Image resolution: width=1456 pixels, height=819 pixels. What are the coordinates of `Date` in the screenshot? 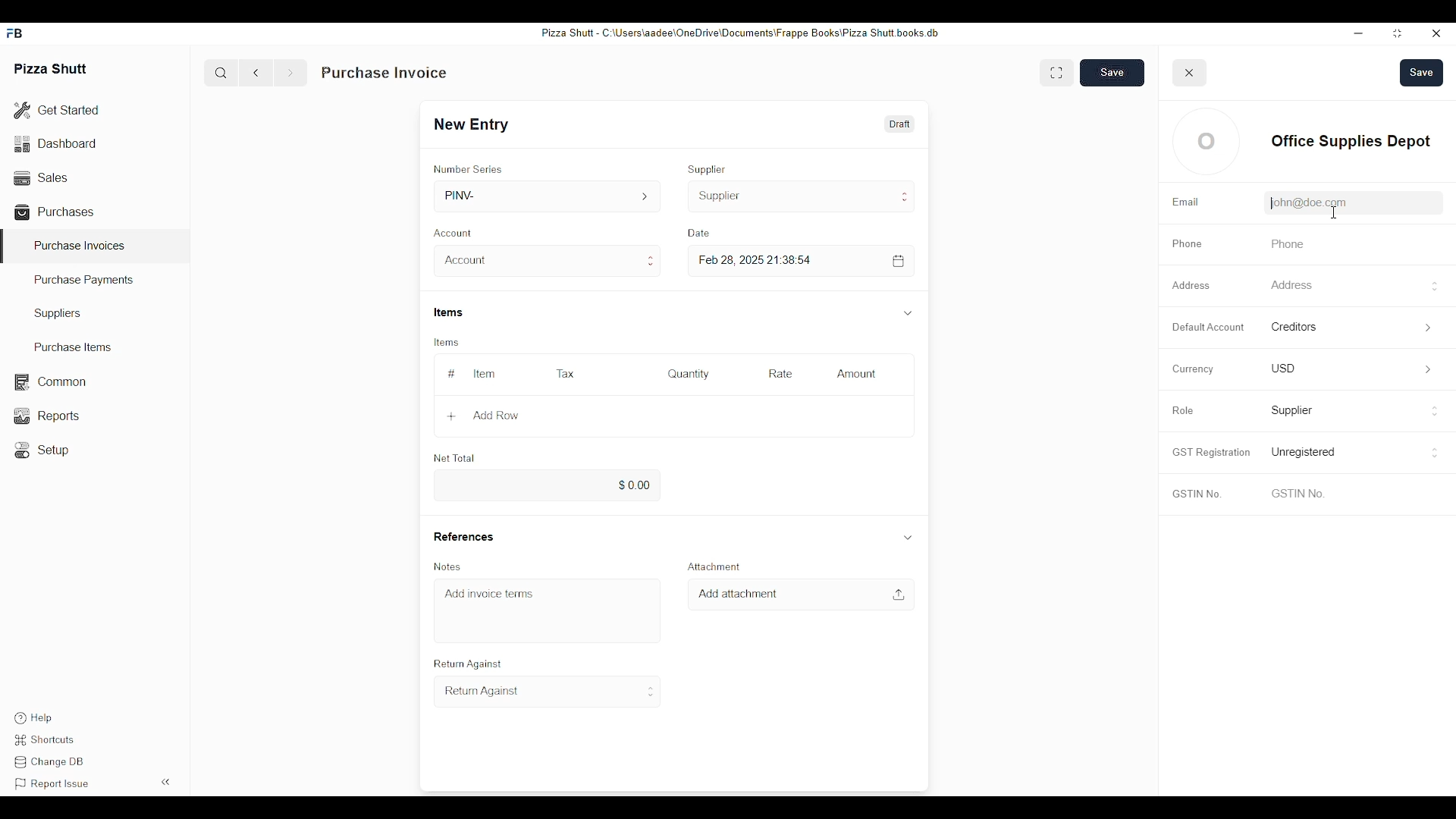 It's located at (701, 233).